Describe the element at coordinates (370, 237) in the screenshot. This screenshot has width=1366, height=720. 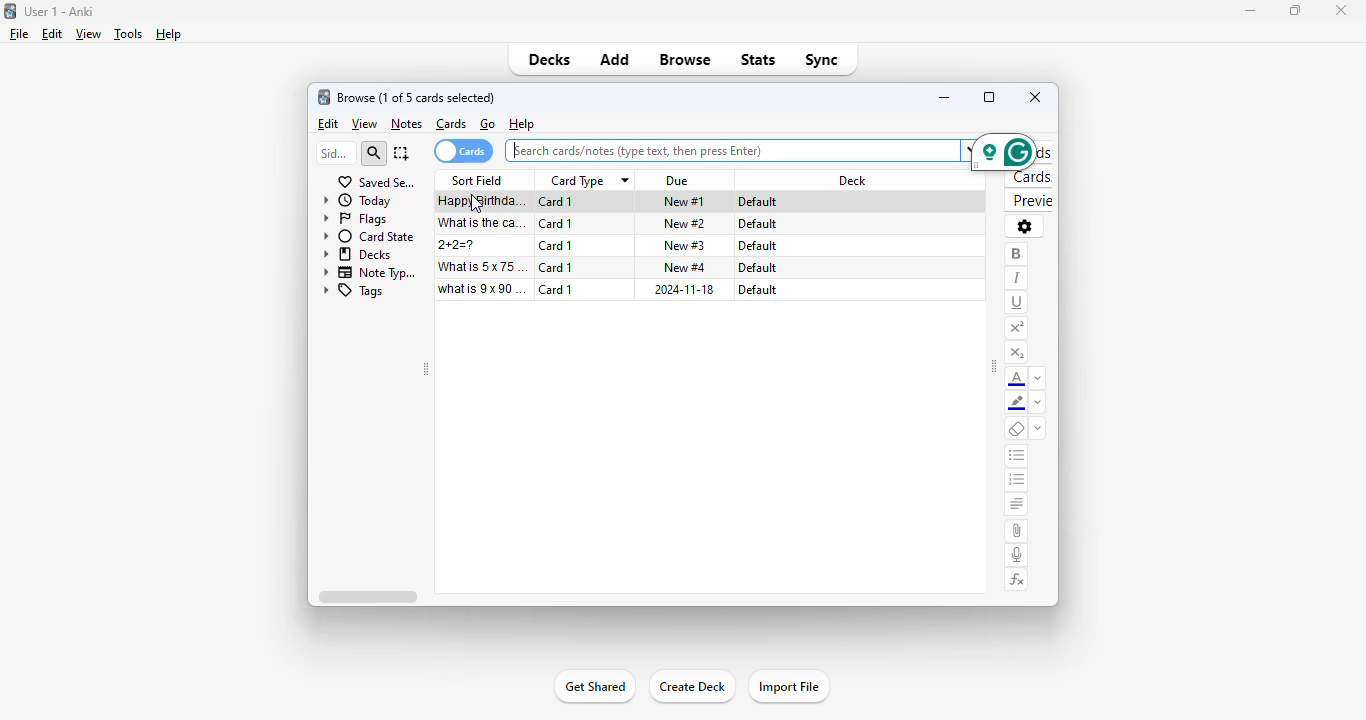
I see `card state` at that location.